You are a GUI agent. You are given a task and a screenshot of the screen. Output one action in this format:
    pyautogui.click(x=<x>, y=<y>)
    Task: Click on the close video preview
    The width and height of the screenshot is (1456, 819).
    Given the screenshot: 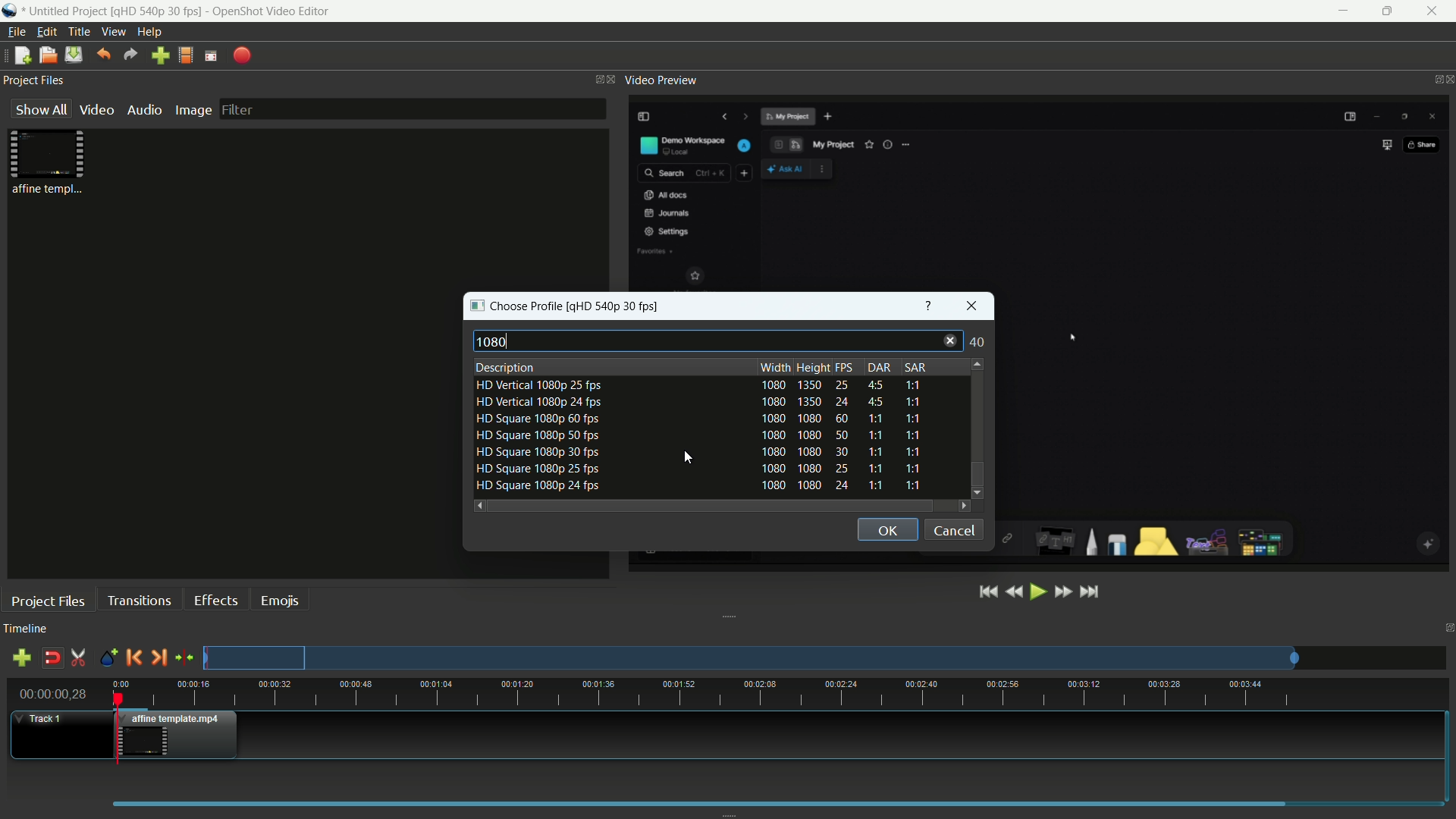 What is the action you would take?
    pyautogui.click(x=1447, y=80)
    